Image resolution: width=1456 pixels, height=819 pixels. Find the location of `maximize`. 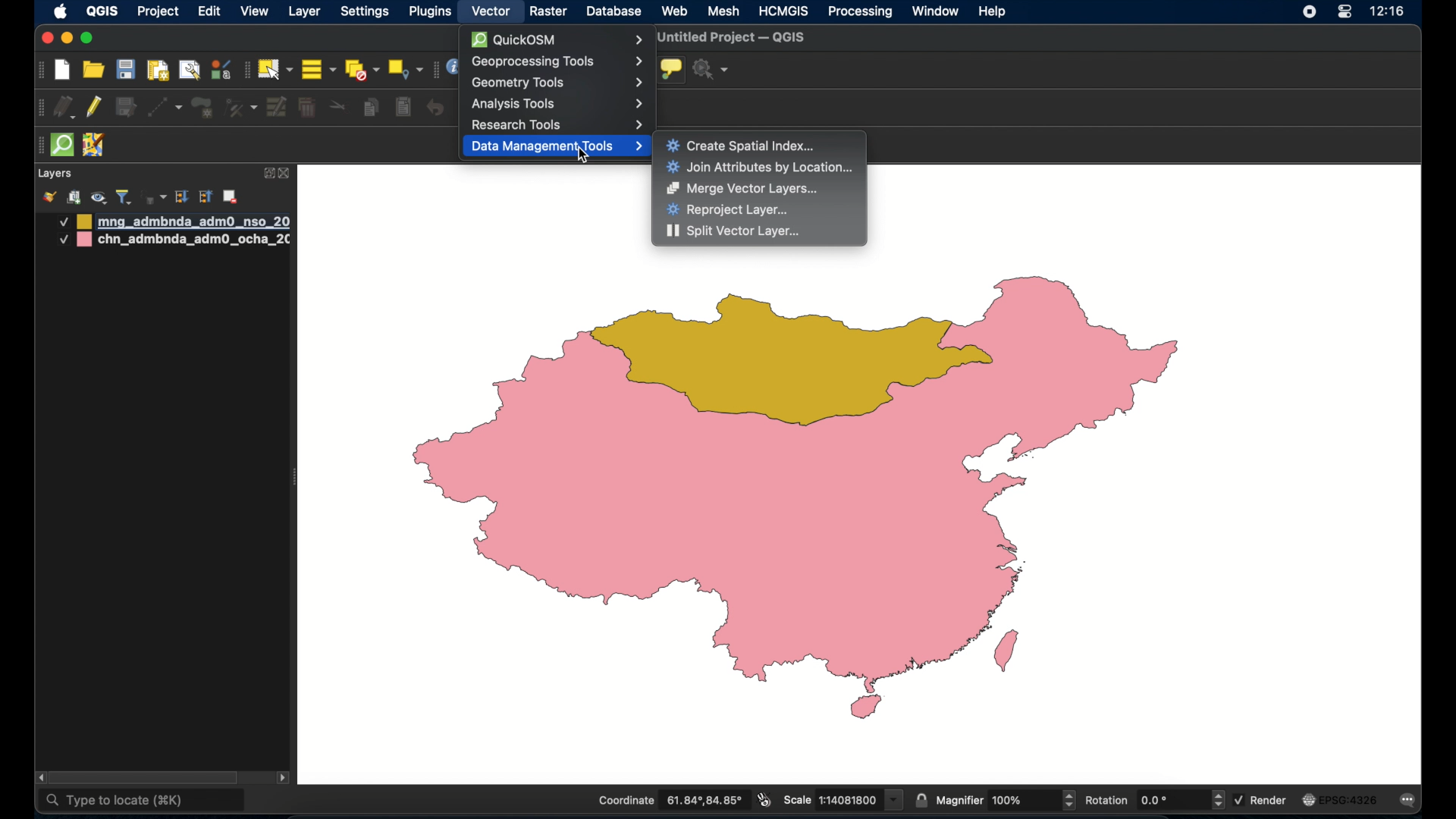

maximize is located at coordinates (87, 39).